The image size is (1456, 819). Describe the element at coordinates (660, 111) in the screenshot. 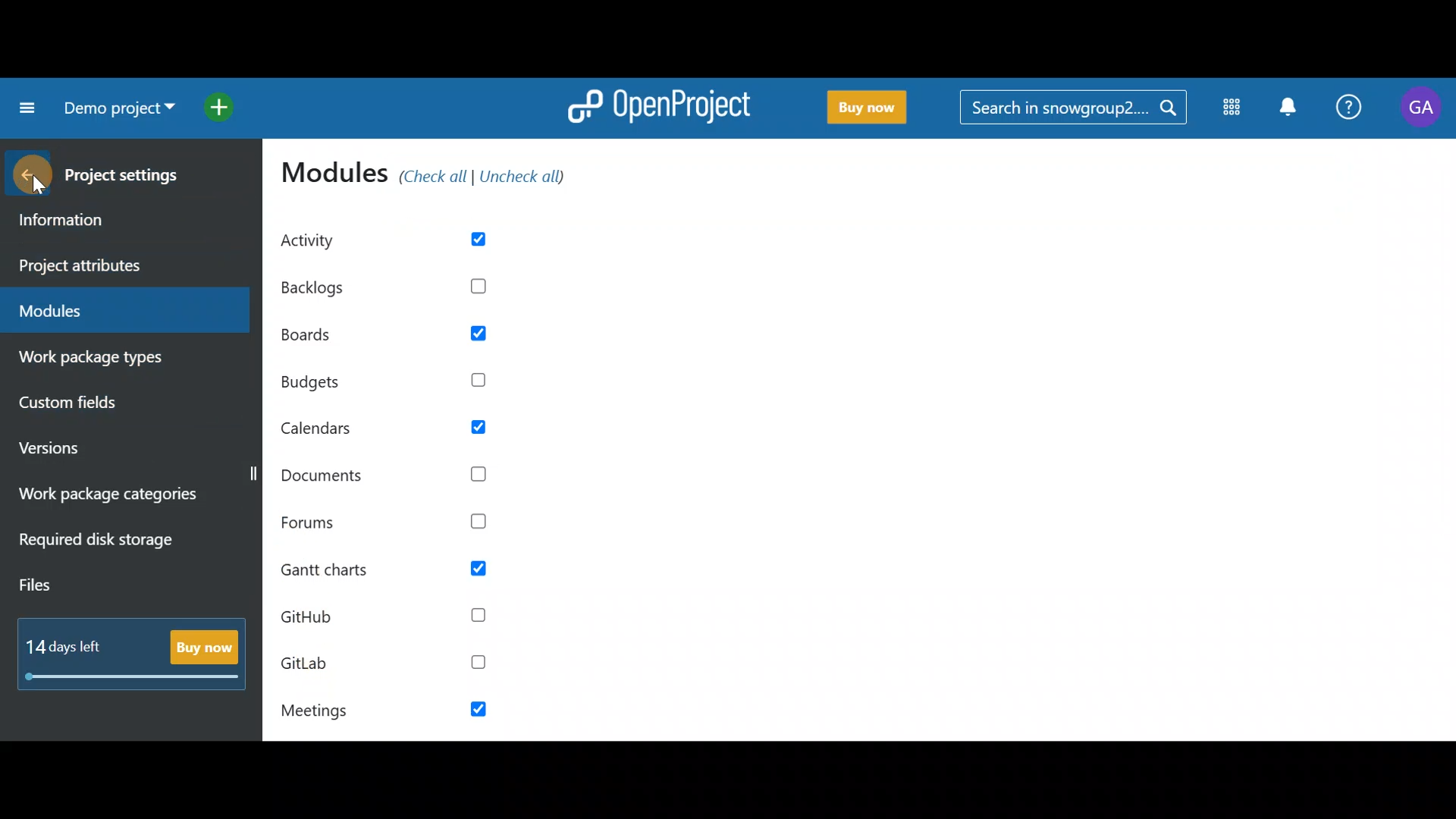

I see `OpenProject` at that location.